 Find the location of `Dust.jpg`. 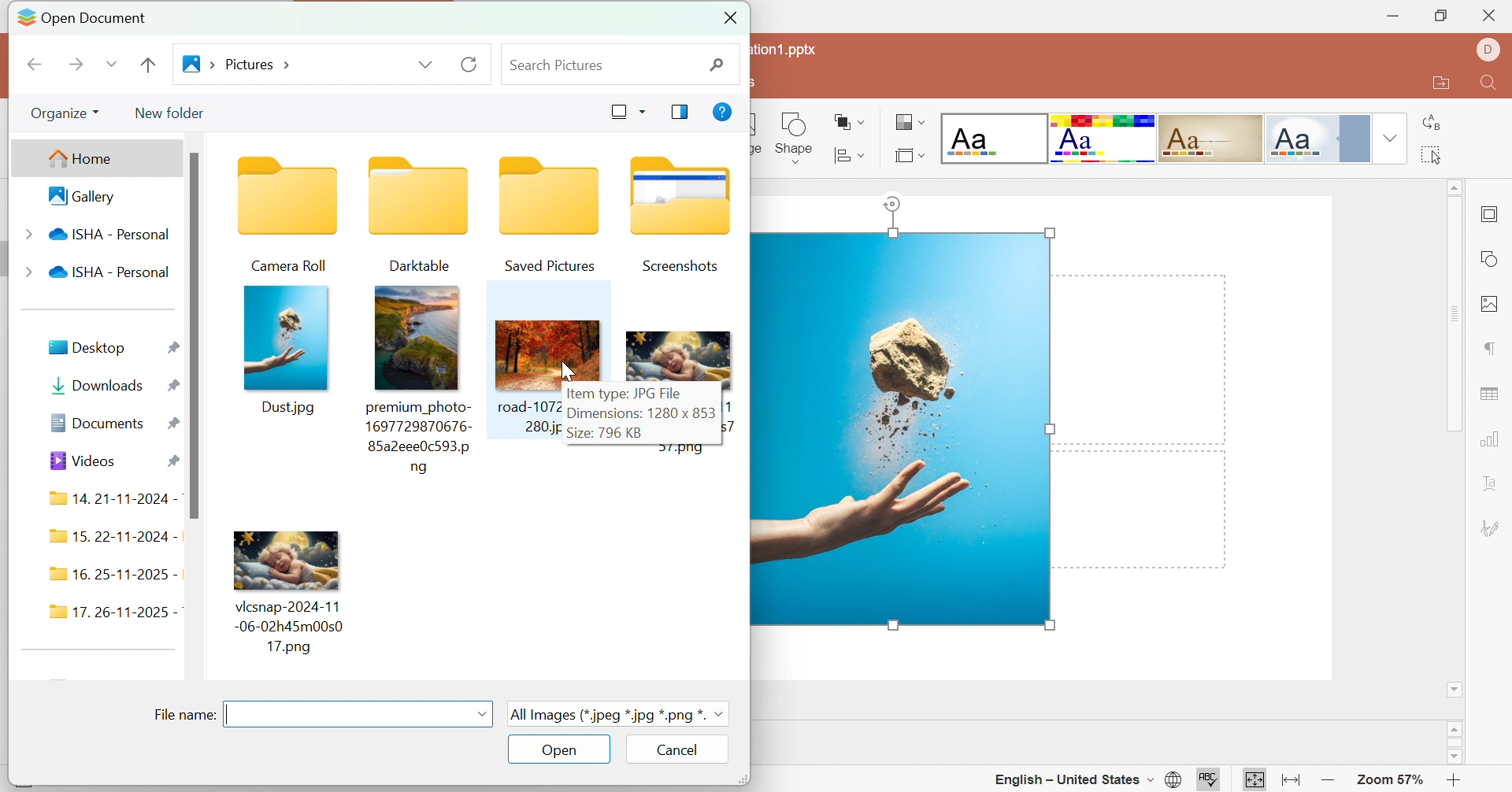

Dust.jpg is located at coordinates (284, 347).